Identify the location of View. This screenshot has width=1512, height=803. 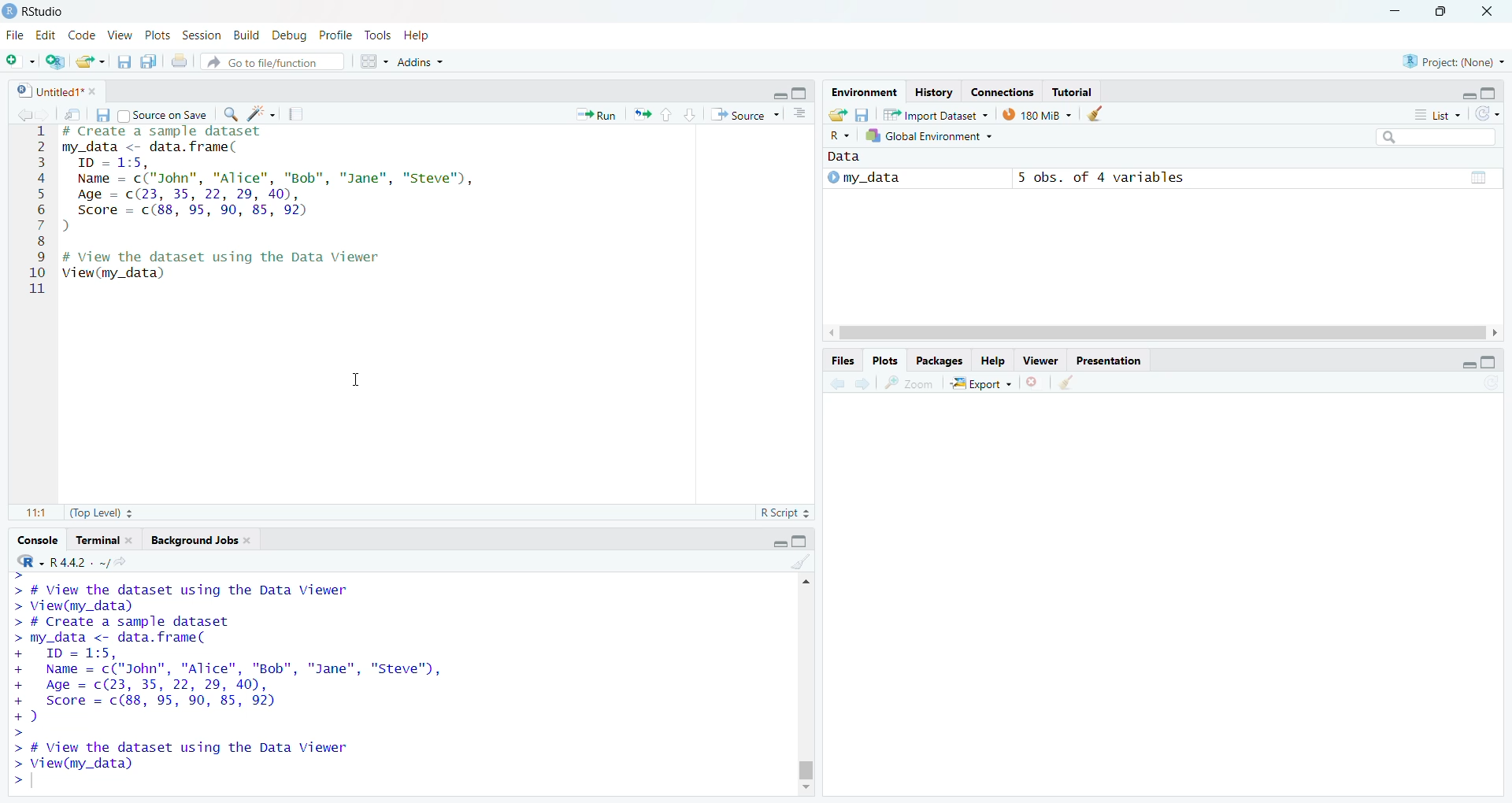
(122, 35).